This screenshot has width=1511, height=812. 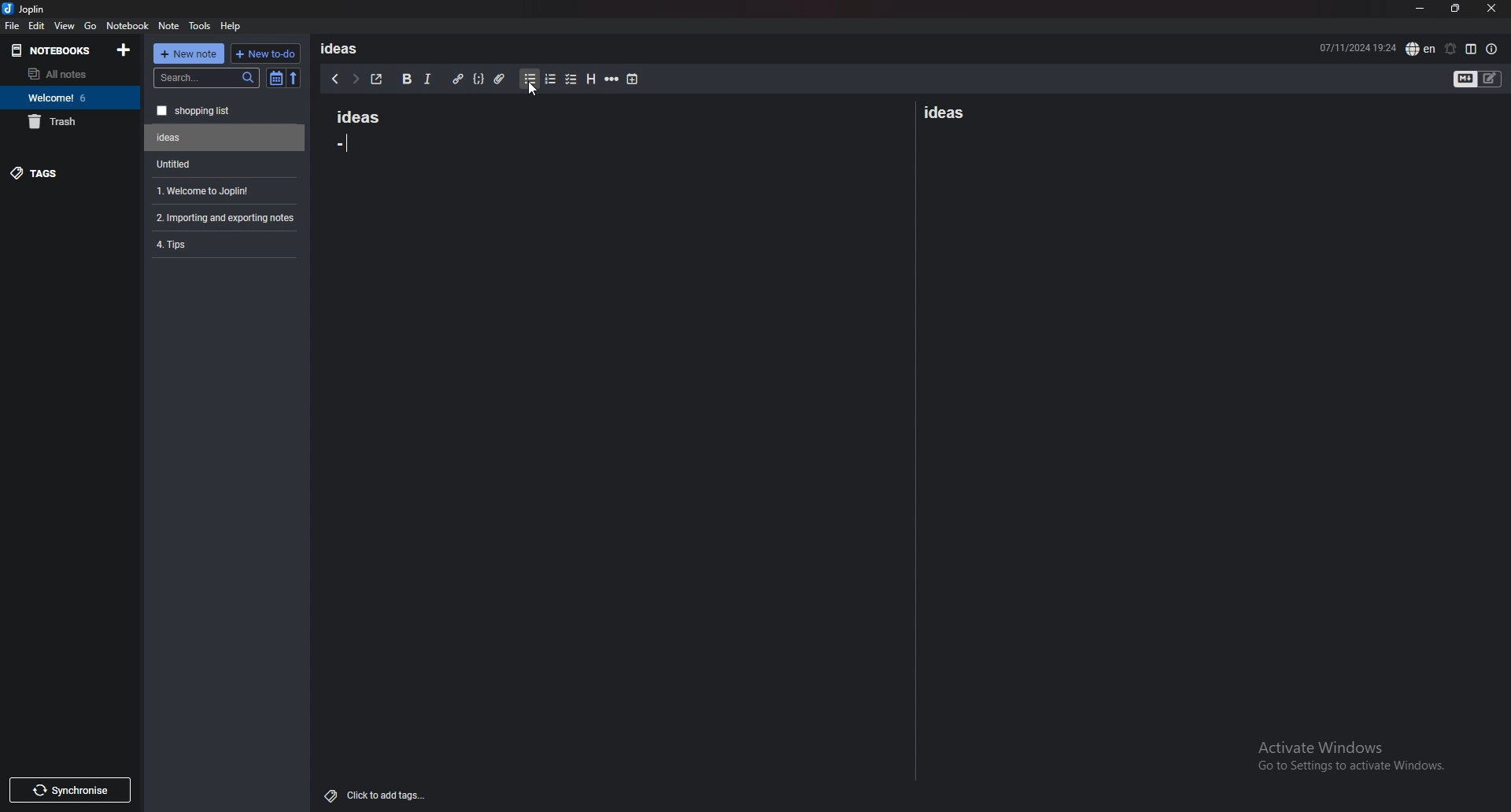 I want to click on shopping list, so click(x=225, y=111).